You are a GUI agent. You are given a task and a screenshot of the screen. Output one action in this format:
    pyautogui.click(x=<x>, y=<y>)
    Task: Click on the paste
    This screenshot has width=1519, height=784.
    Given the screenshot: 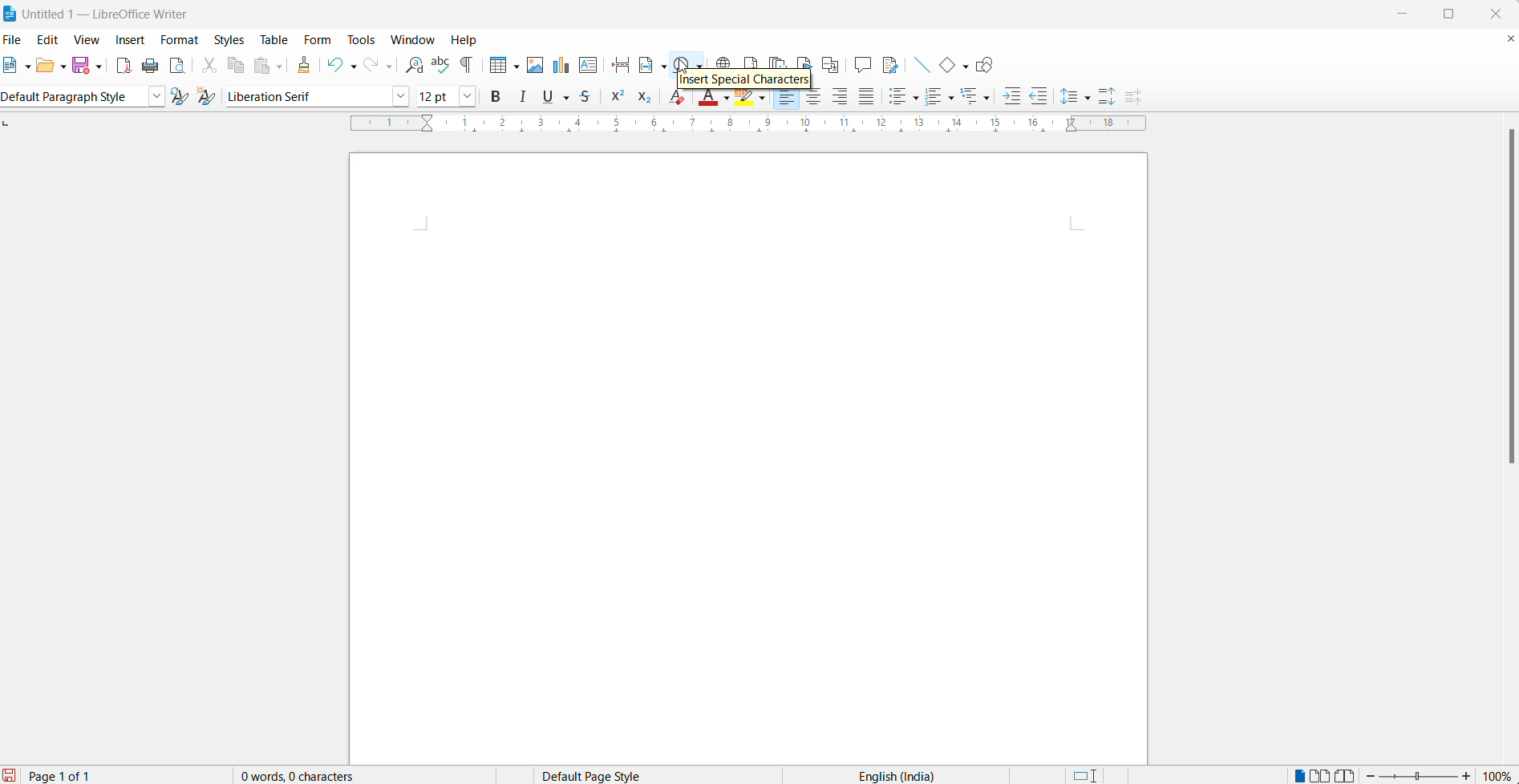 What is the action you would take?
    pyautogui.click(x=261, y=67)
    